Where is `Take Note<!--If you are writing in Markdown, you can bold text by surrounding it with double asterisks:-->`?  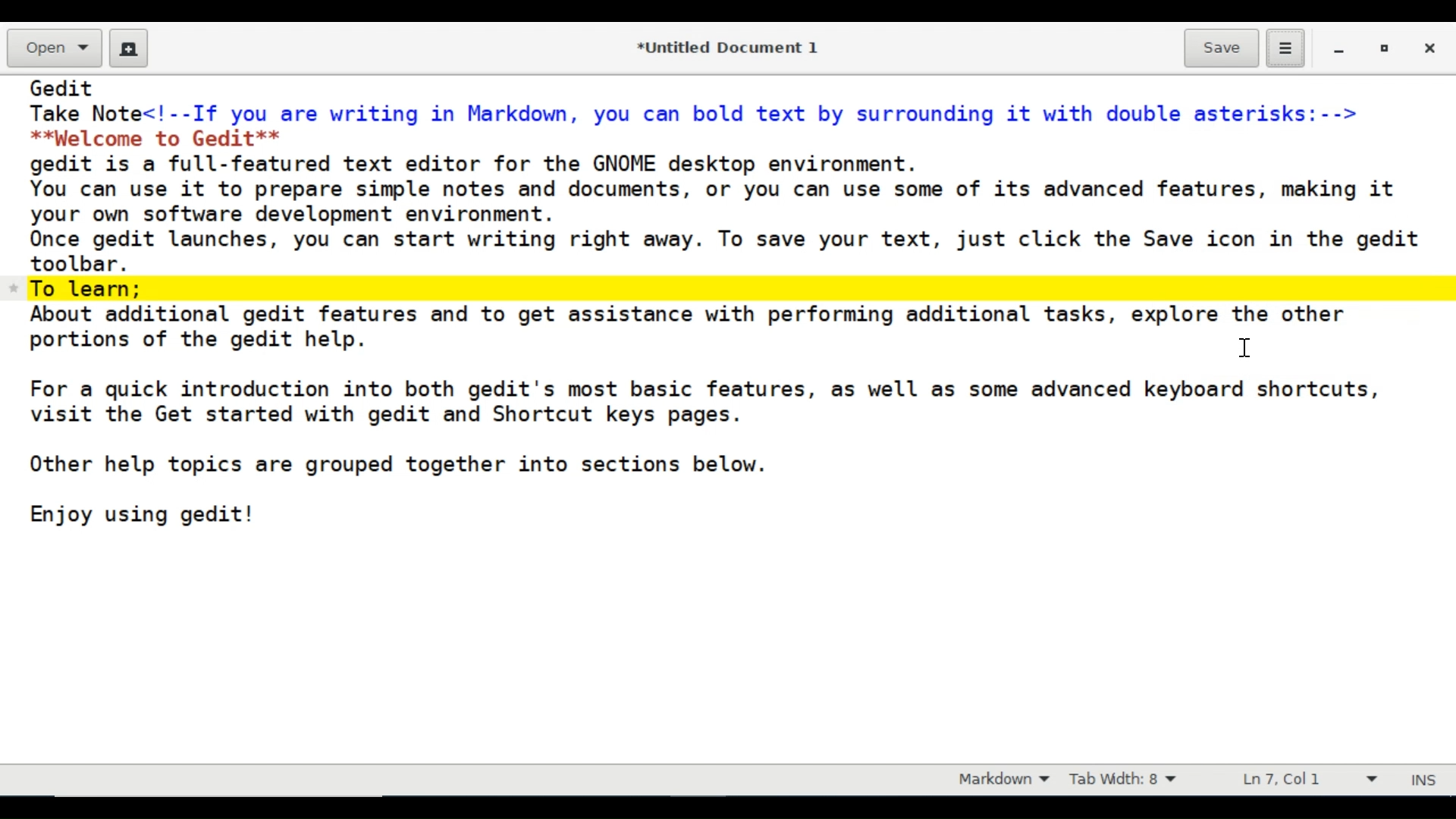 Take Note<!--If you are writing in Markdown, you can bold text by surrounding it with double asterisks:--> is located at coordinates (701, 111).